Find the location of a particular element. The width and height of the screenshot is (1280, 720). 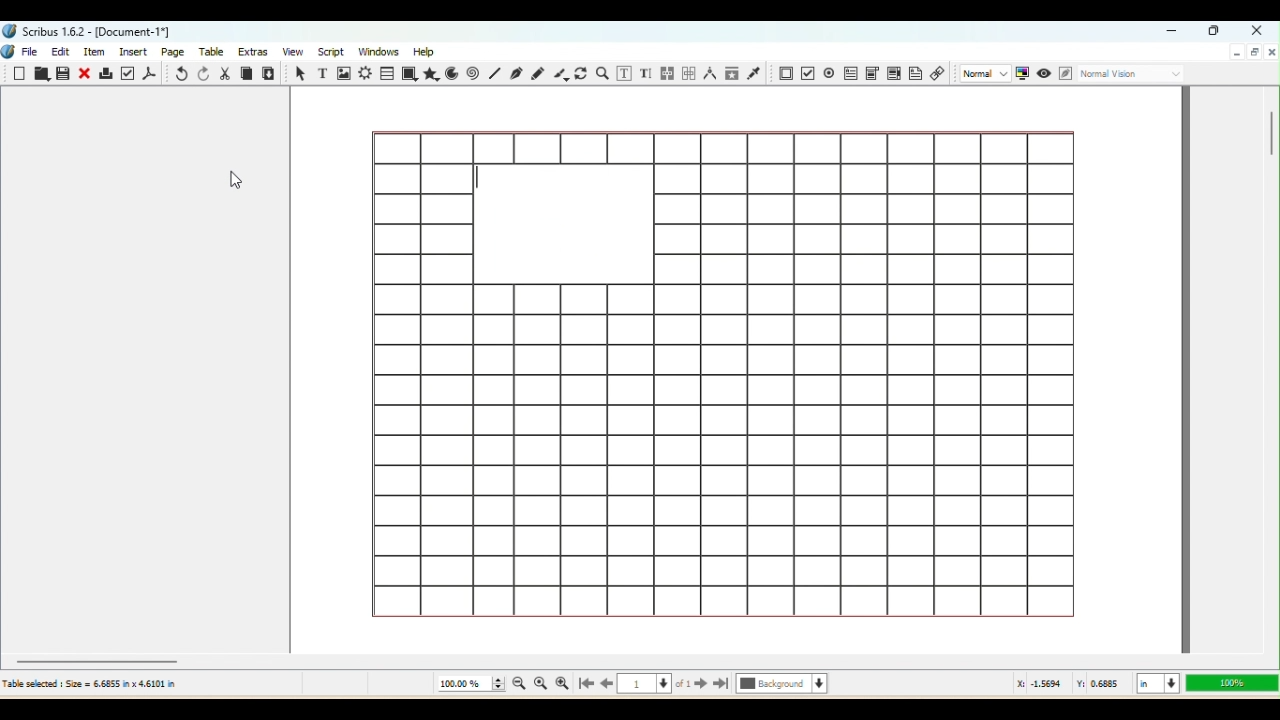

Minimize is located at coordinates (1175, 32).